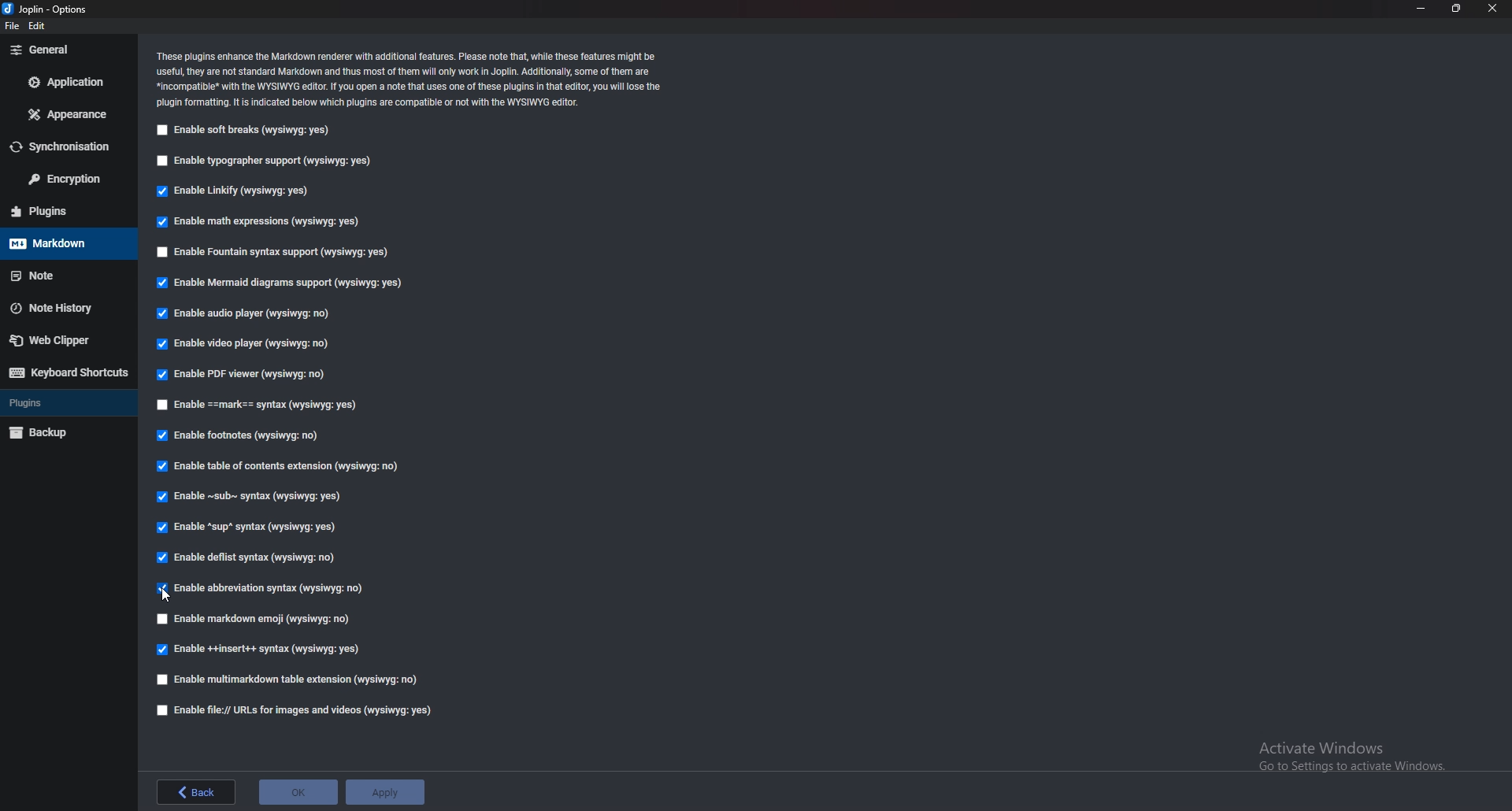 This screenshot has width=1512, height=811. What do you see at coordinates (66, 372) in the screenshot?
I see `Keyboard shortcuts` at bounding box center [66, 372].